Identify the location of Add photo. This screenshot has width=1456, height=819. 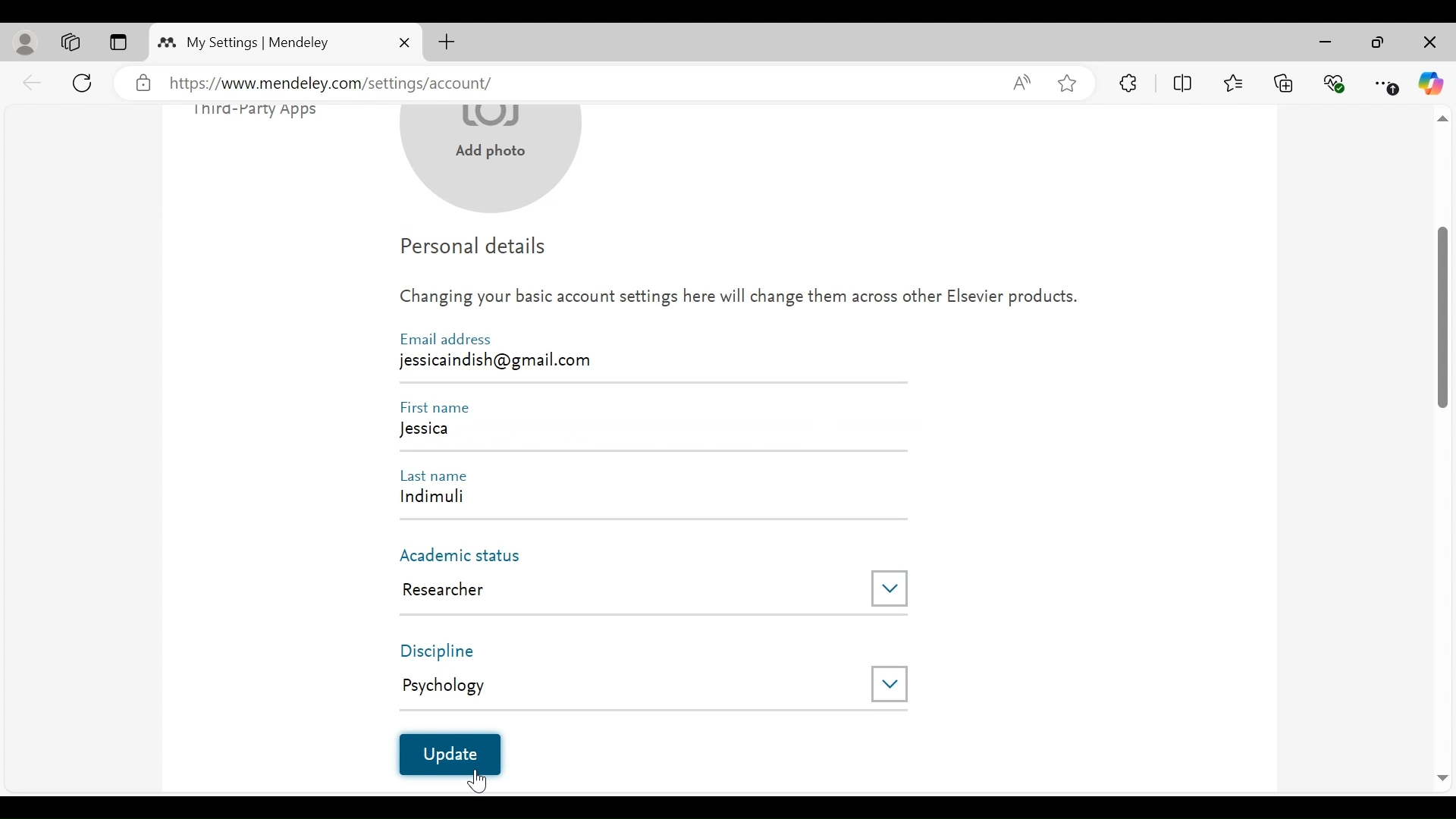
(491, 158).